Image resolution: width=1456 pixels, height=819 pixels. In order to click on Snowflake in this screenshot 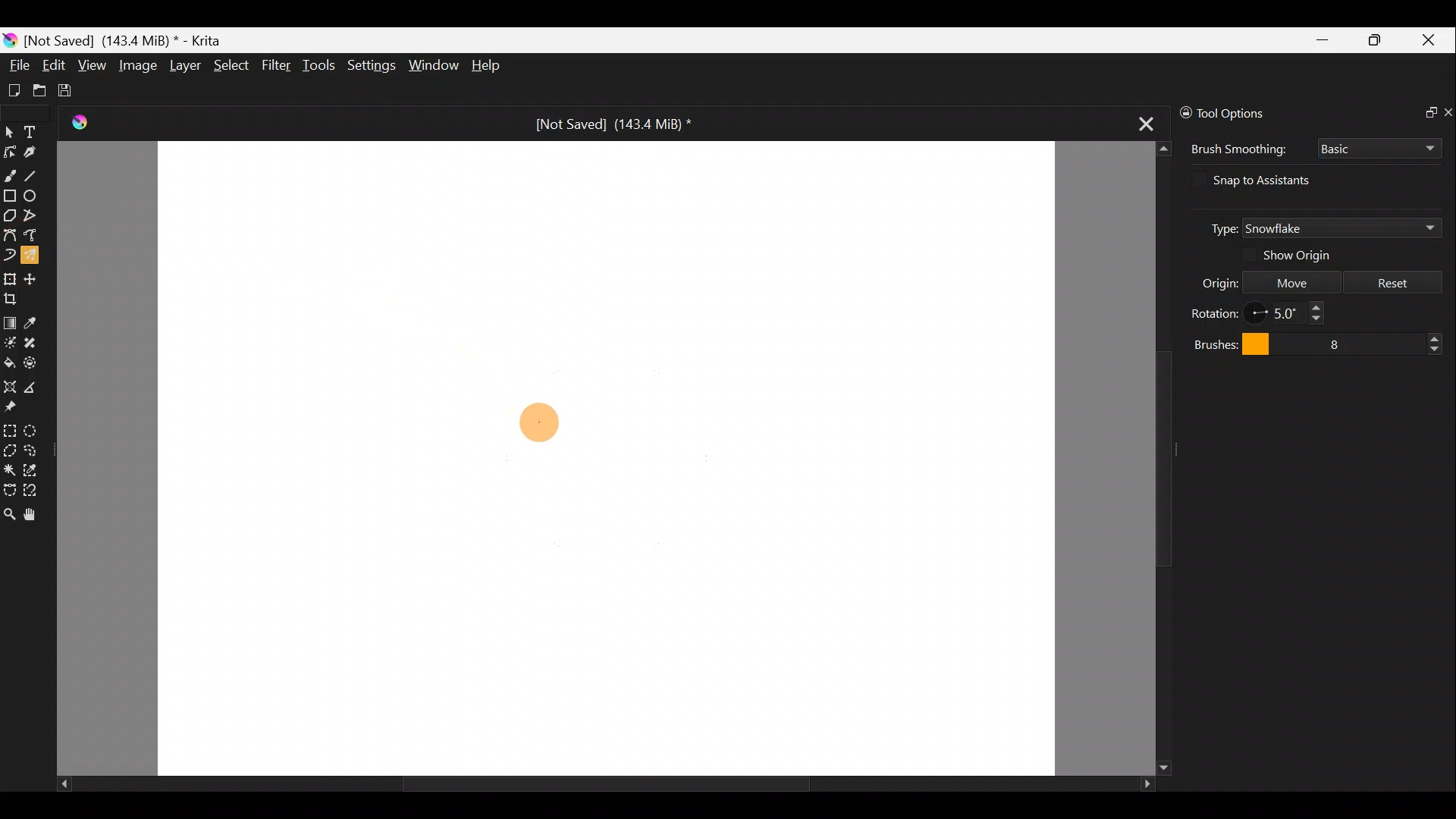, I will do `click(1341, 228)`.